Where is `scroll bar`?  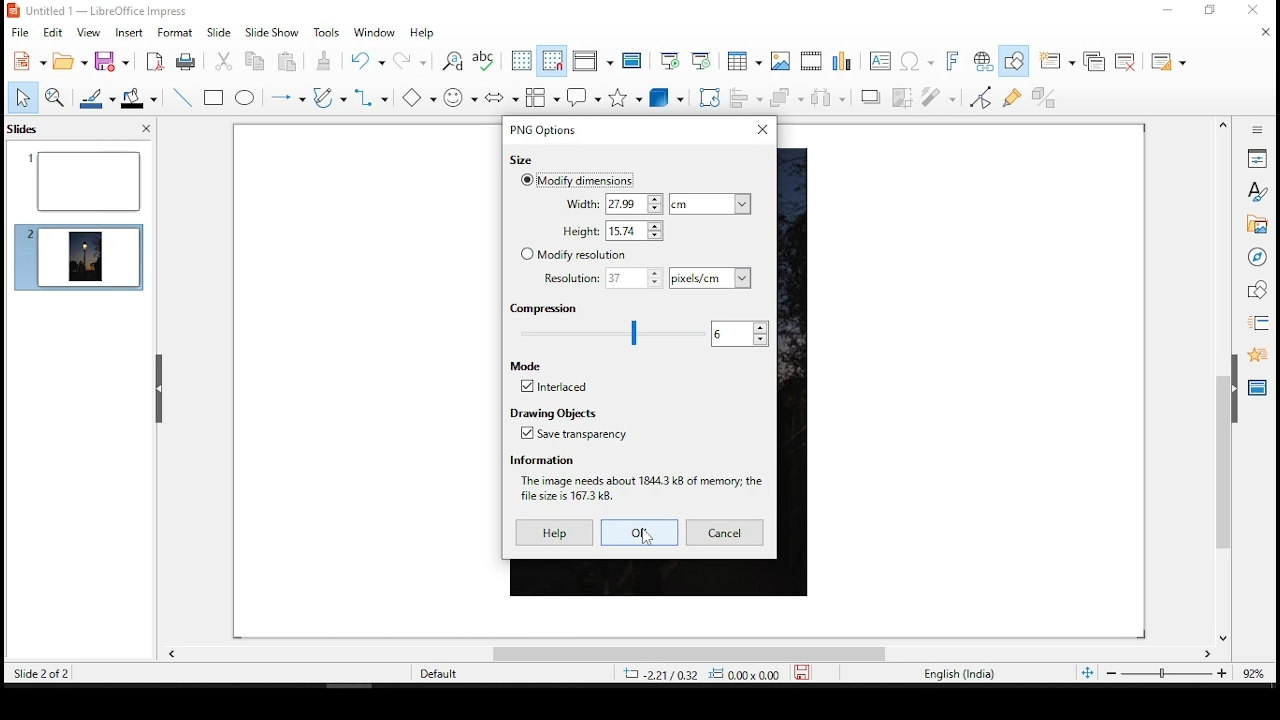
scroll bar is located at coordinates (1223, 381).